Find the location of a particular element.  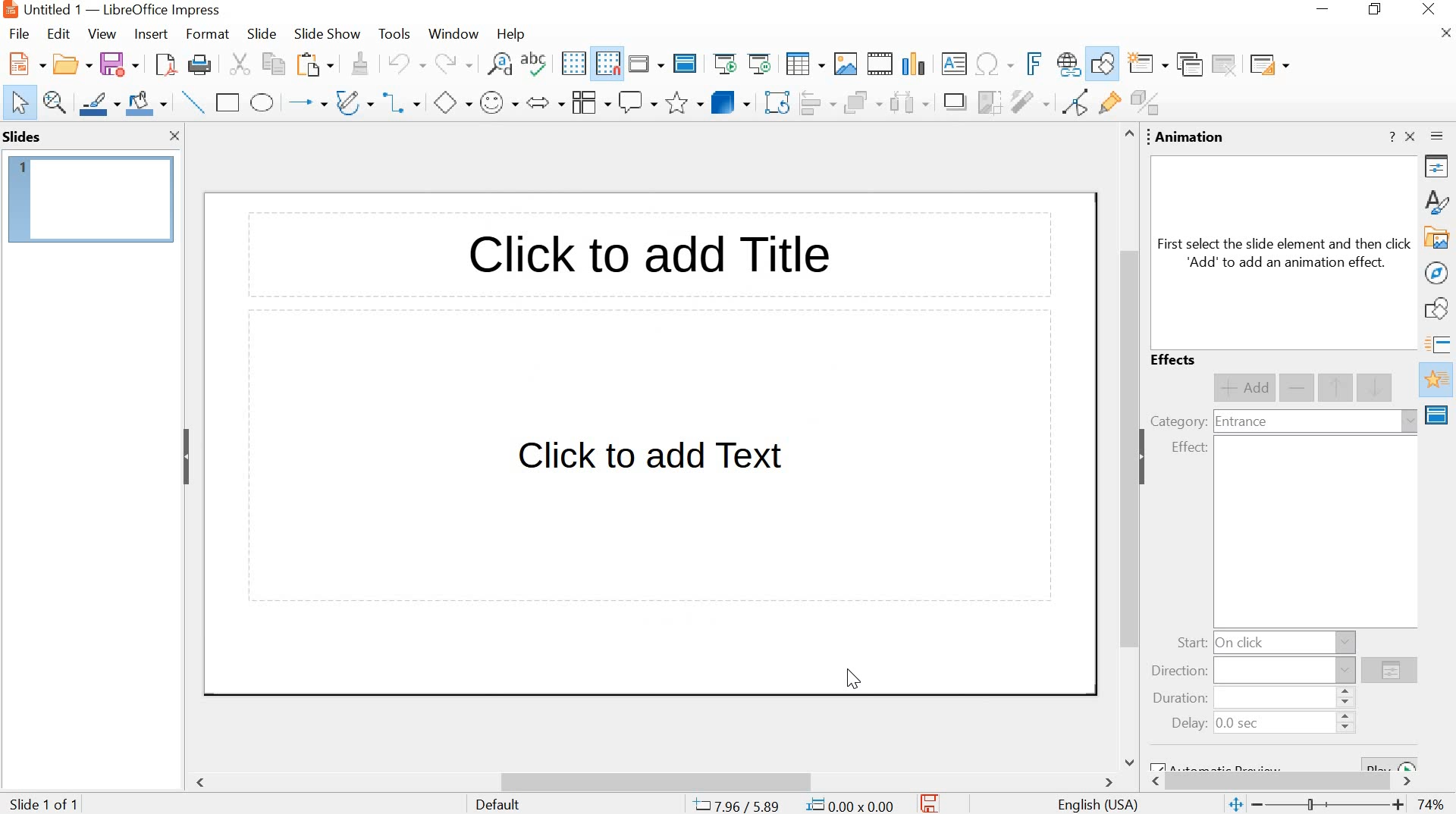

collapse is located at coordinates (1147, 457).